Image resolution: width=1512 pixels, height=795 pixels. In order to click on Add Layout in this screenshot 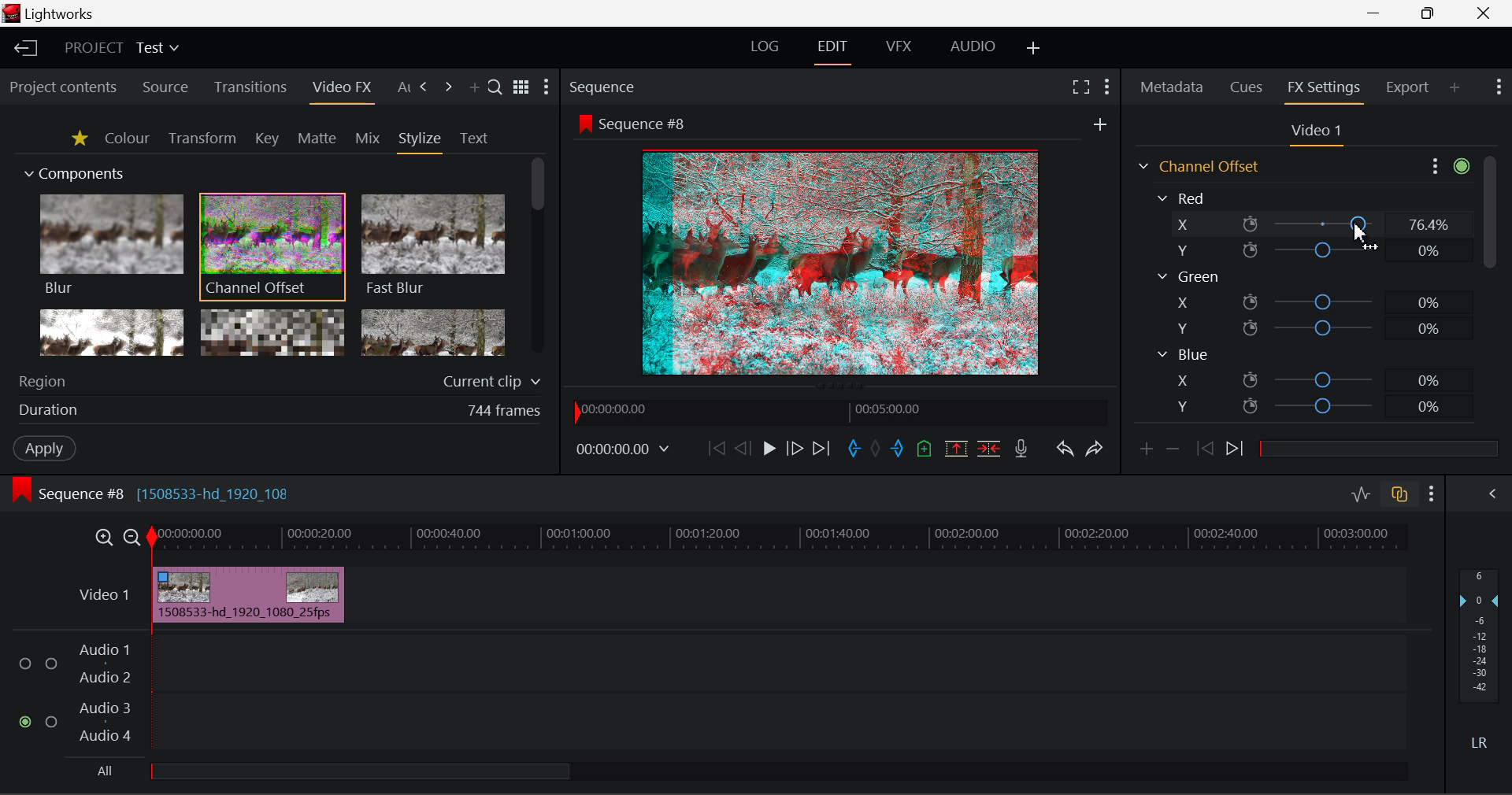, I will do `click(1034, 51)`.